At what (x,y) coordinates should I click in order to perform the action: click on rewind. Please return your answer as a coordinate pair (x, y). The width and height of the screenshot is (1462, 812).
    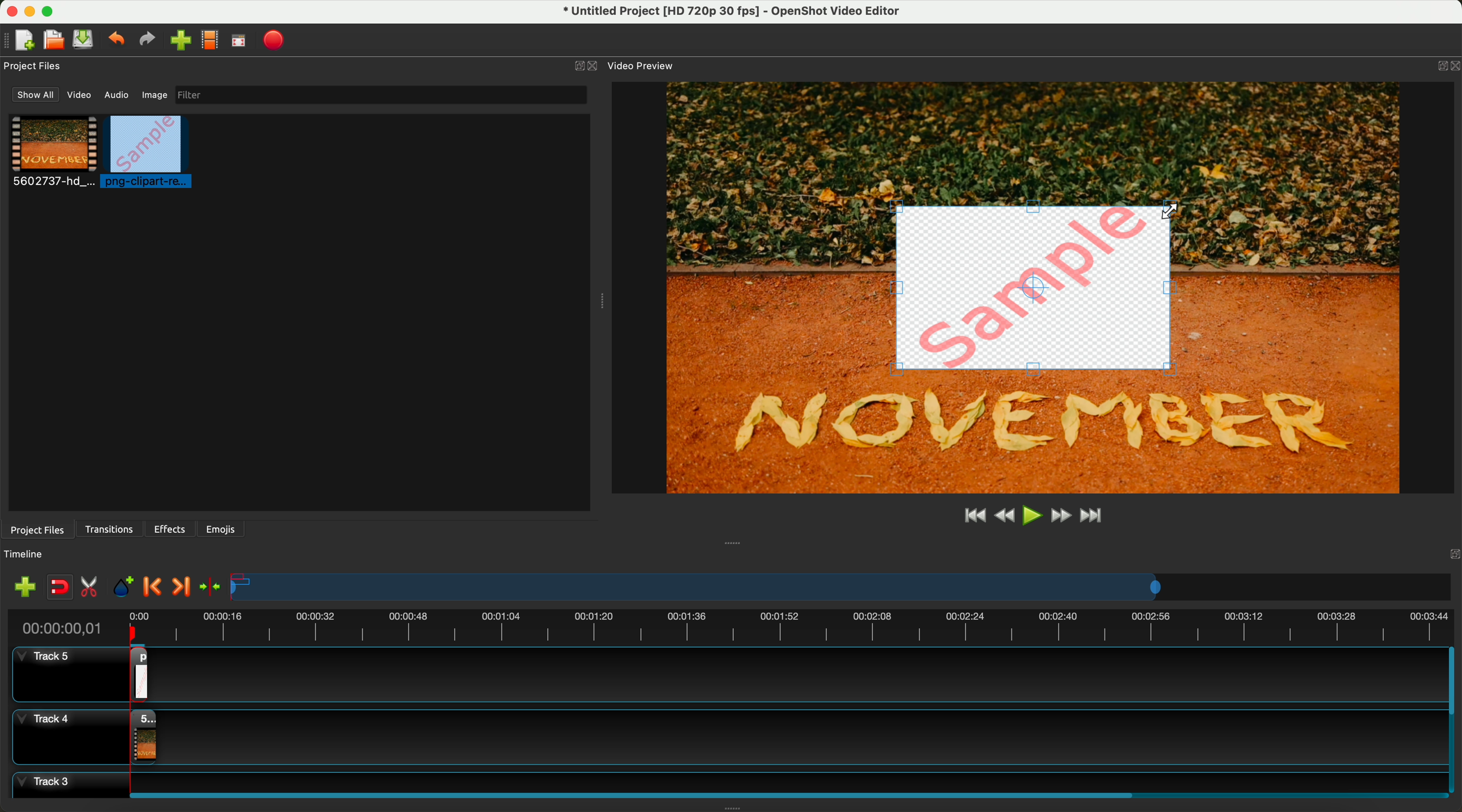
    Looking at the image, I should click on (1003, 517).